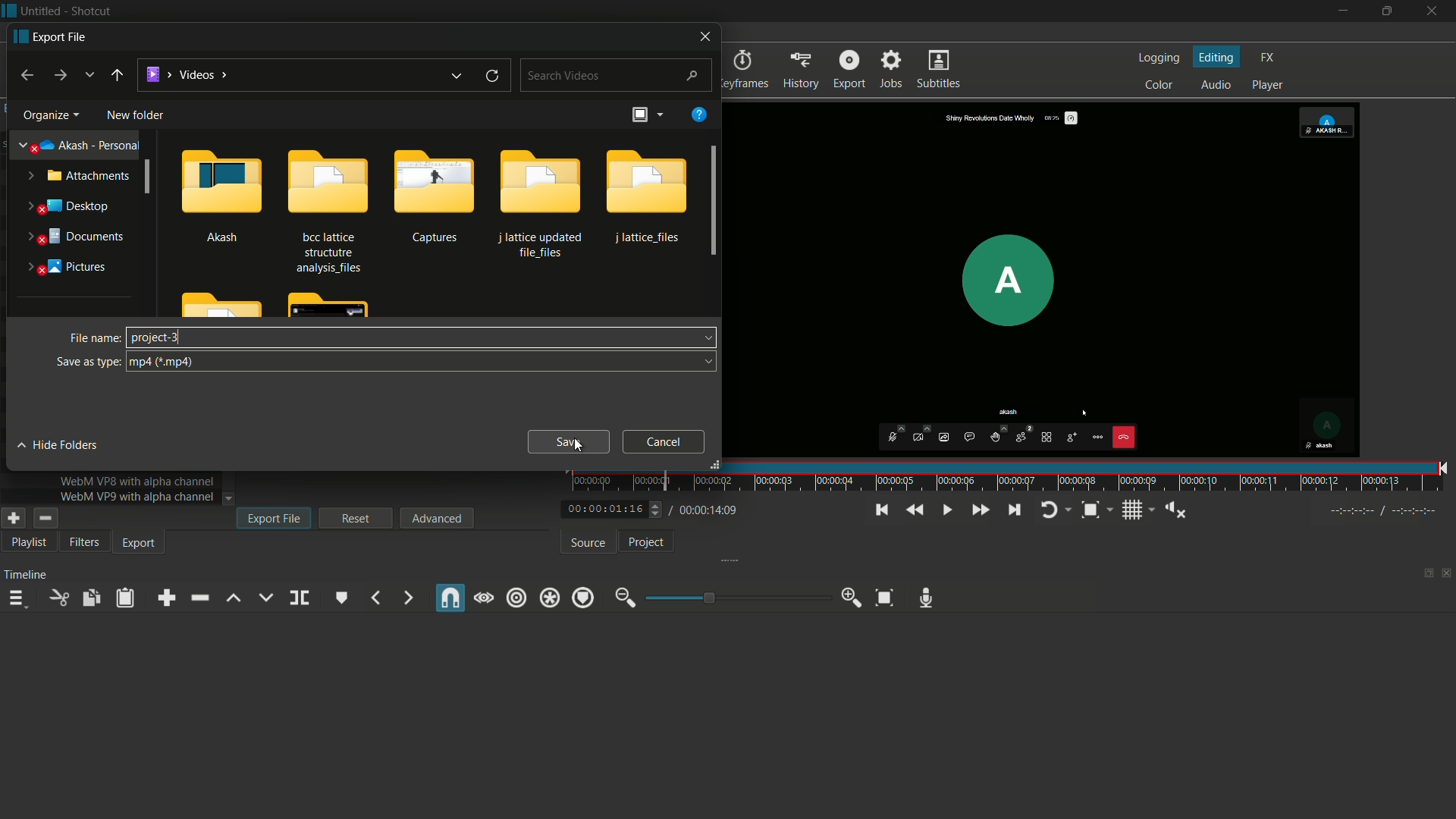 This screenshot has height=819, width=1456. What do you see at coordinates (576, 446) in the screenshot?
I see `cursor` at bounding box center [576, 446].